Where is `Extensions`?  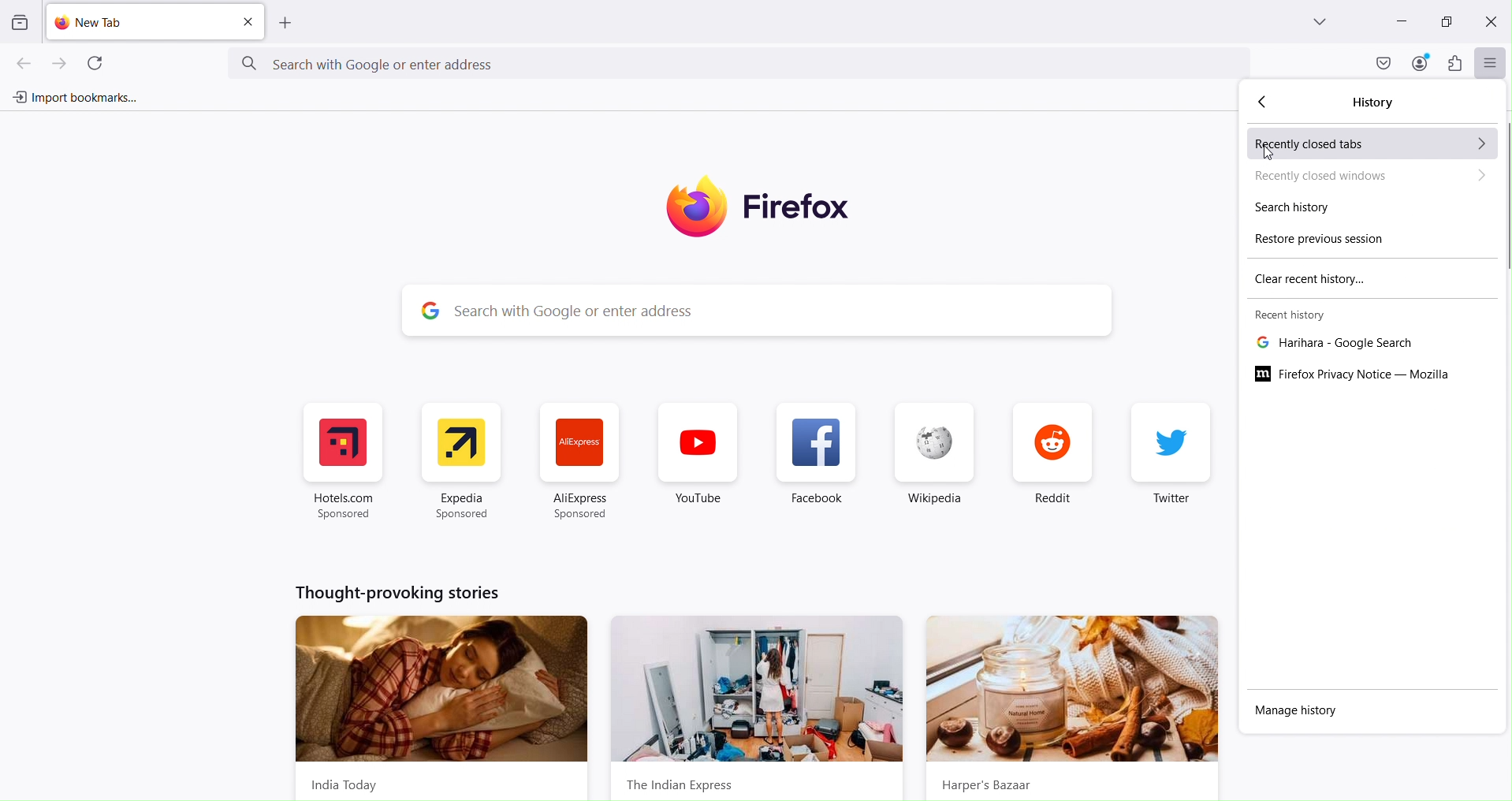
Extensions is located at coordinates (1456, 63).